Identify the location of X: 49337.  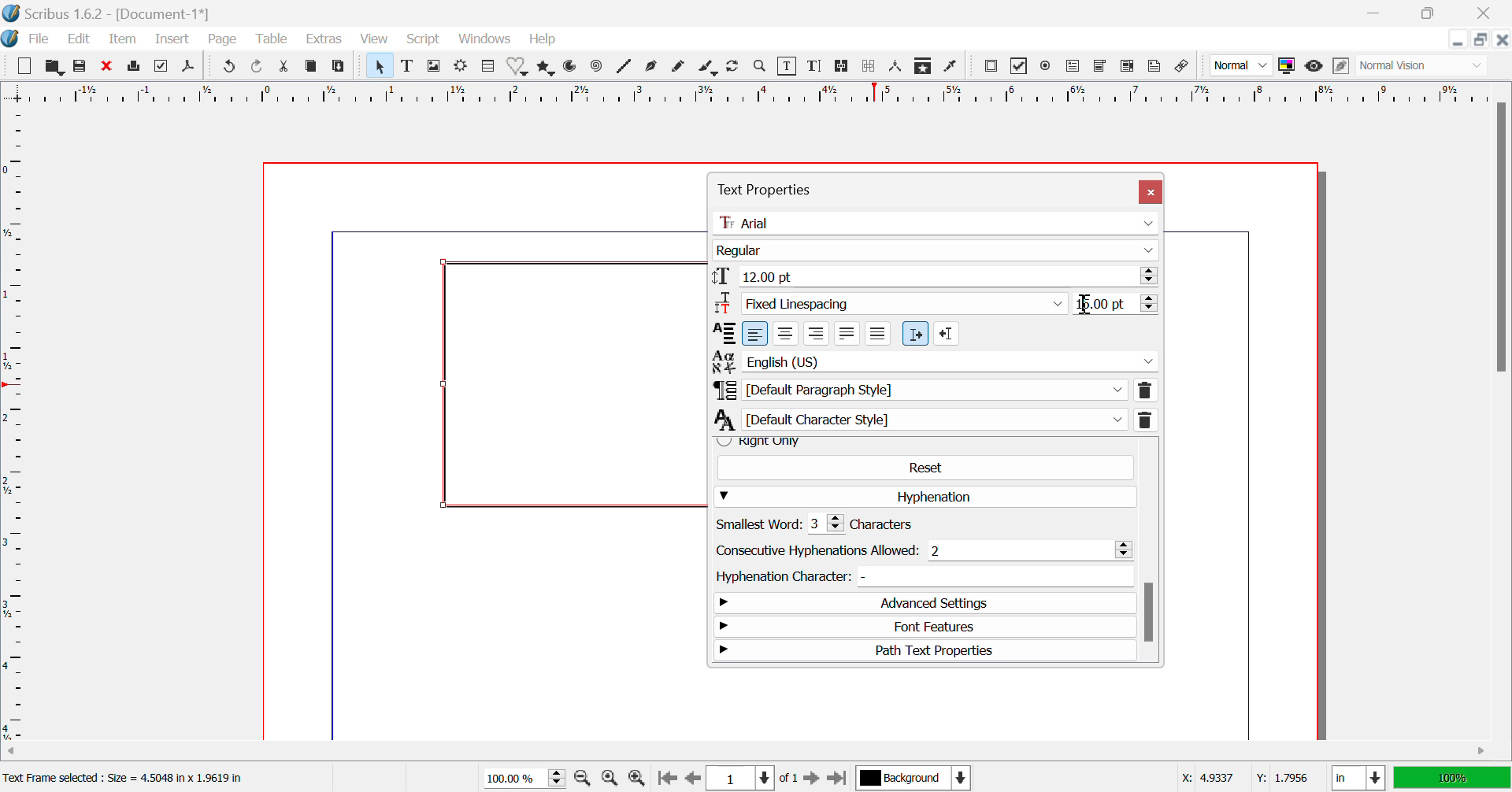
(1206, 778).